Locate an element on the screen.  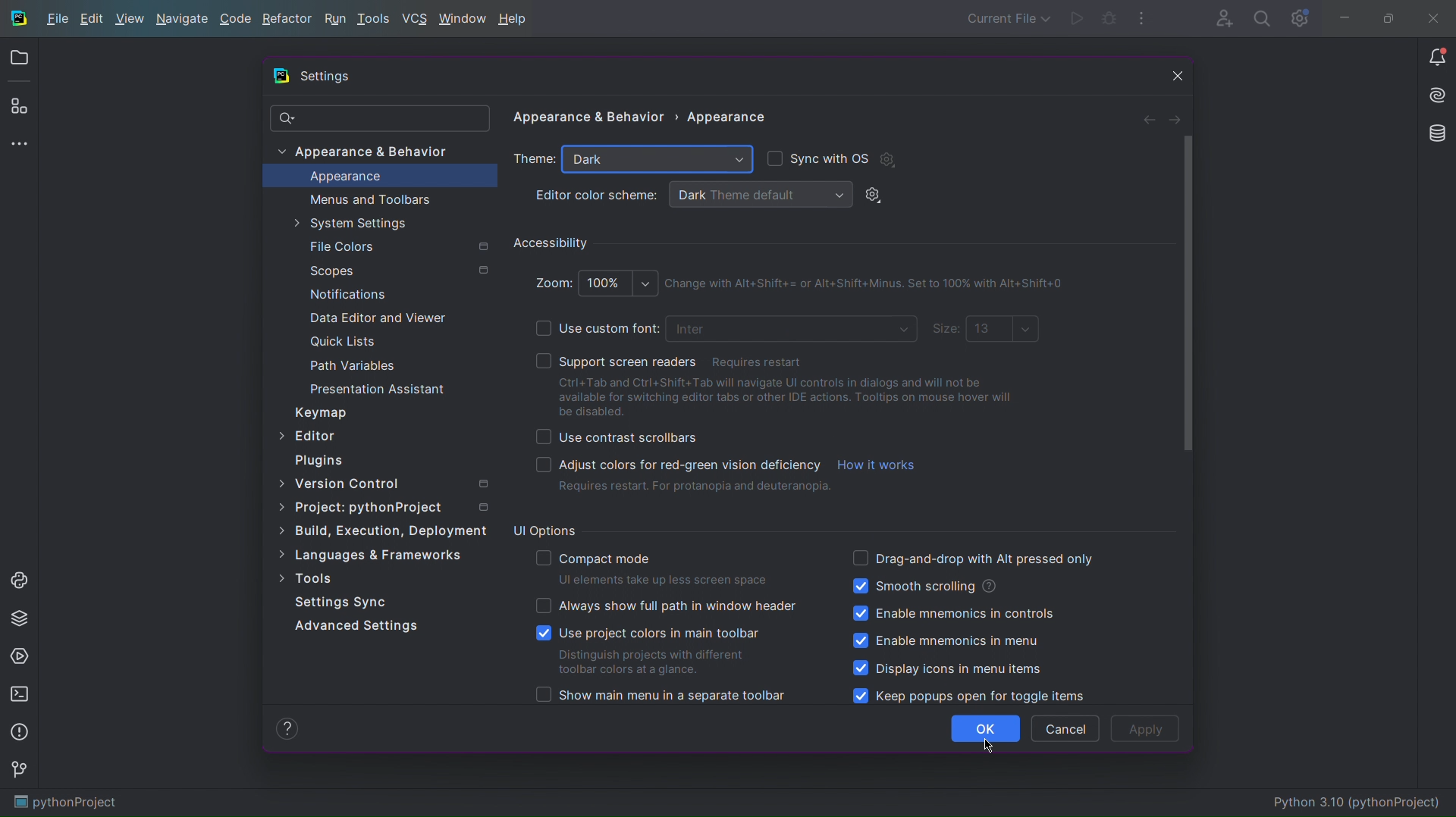
Python 3.10 (pythonProject) is located at coordinates (1359, 800).